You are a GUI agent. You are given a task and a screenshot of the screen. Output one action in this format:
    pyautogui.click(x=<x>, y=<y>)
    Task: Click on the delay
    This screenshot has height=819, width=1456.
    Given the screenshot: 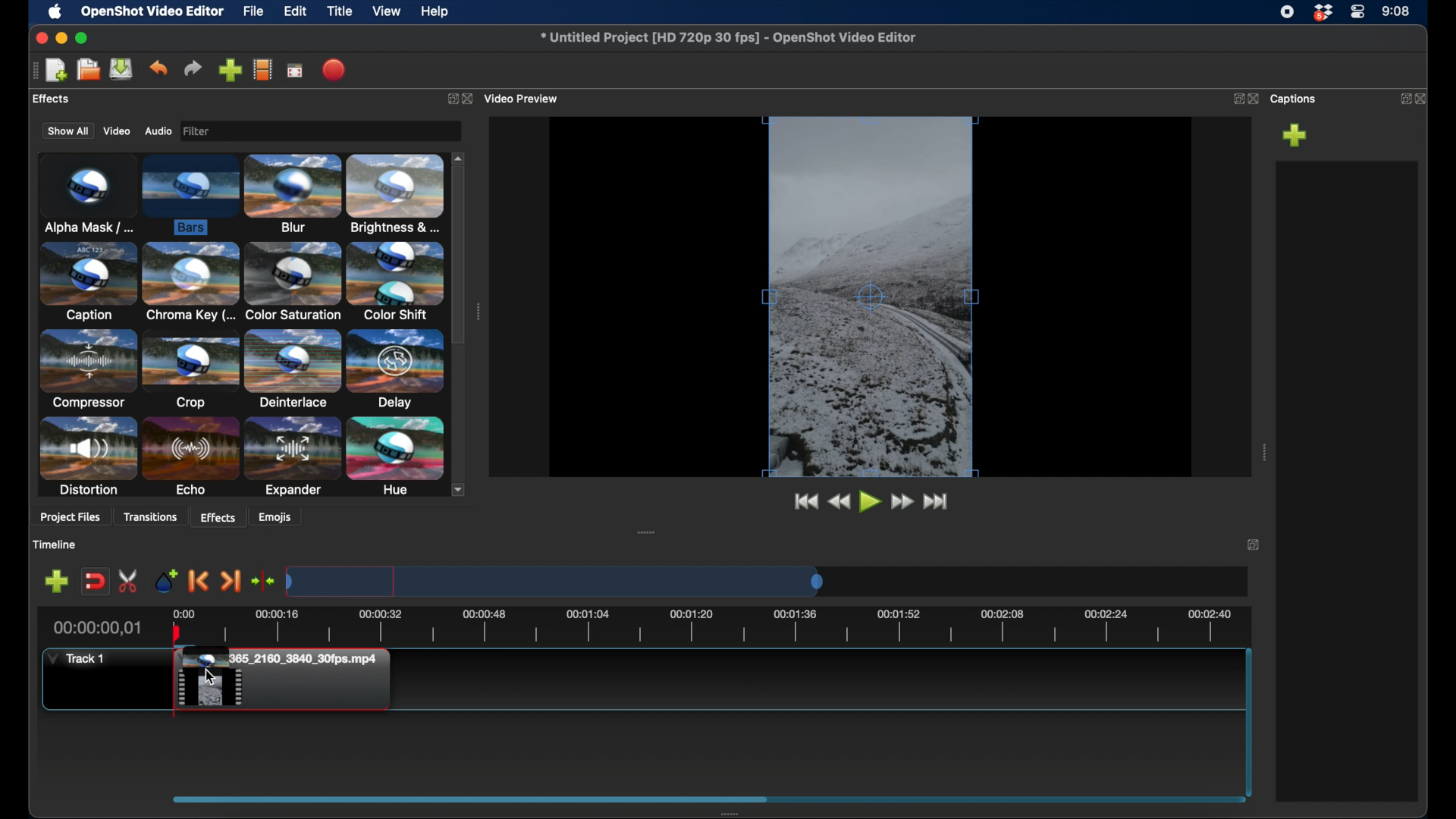 What is the action you would take?
    pyautogui.click(x=394, y=369)
    